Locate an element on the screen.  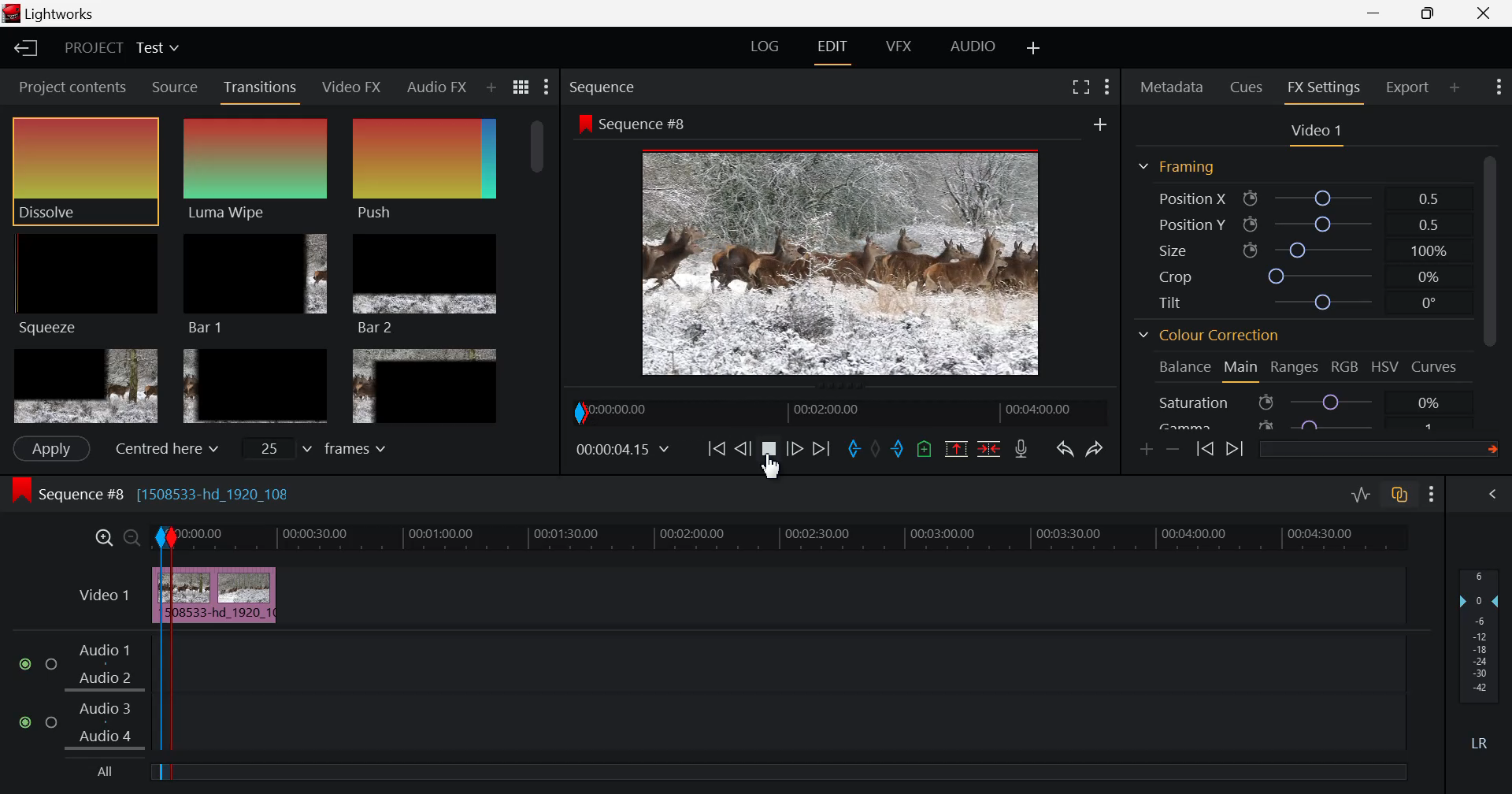
RGB Tab is located at coordinates (1347, 369).